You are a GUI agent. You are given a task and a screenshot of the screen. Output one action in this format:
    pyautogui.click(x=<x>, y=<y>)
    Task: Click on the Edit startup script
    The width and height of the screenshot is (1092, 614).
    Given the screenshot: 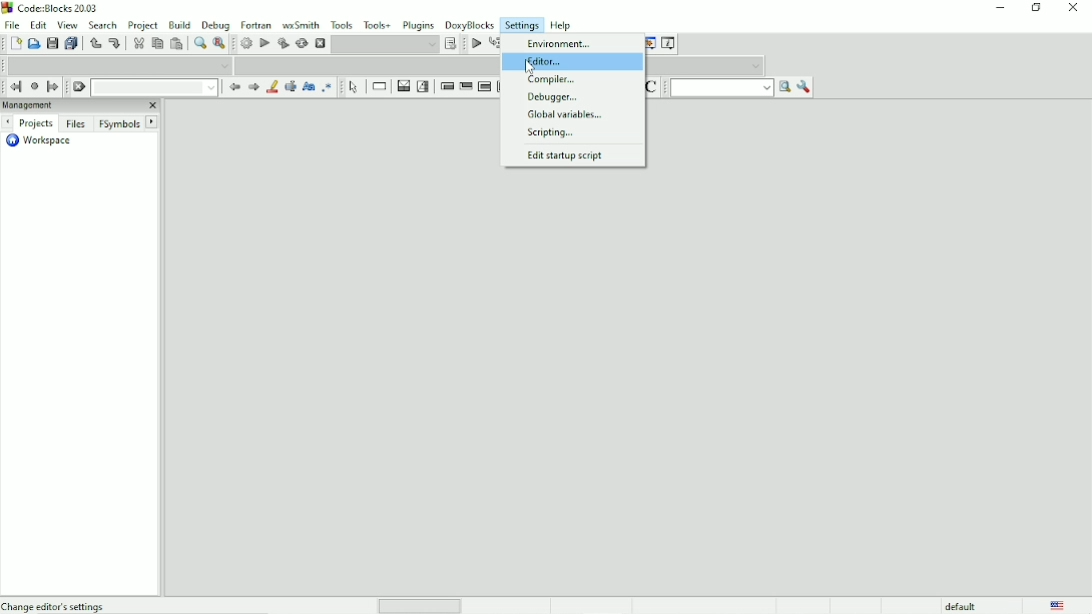 What is the action you would take?
    pyautogui.click(x=567, y=157)
    